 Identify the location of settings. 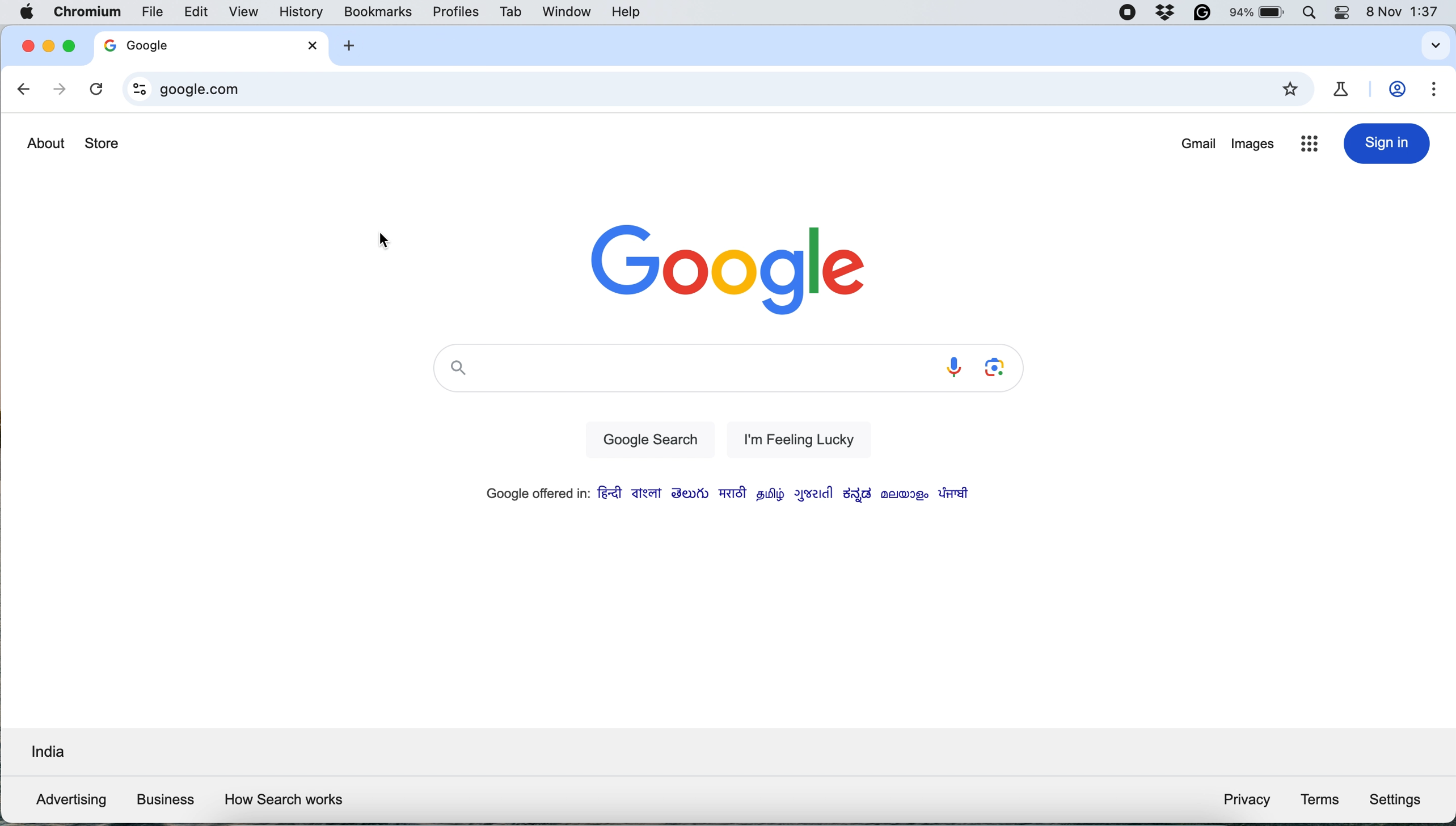
(1399, 798).